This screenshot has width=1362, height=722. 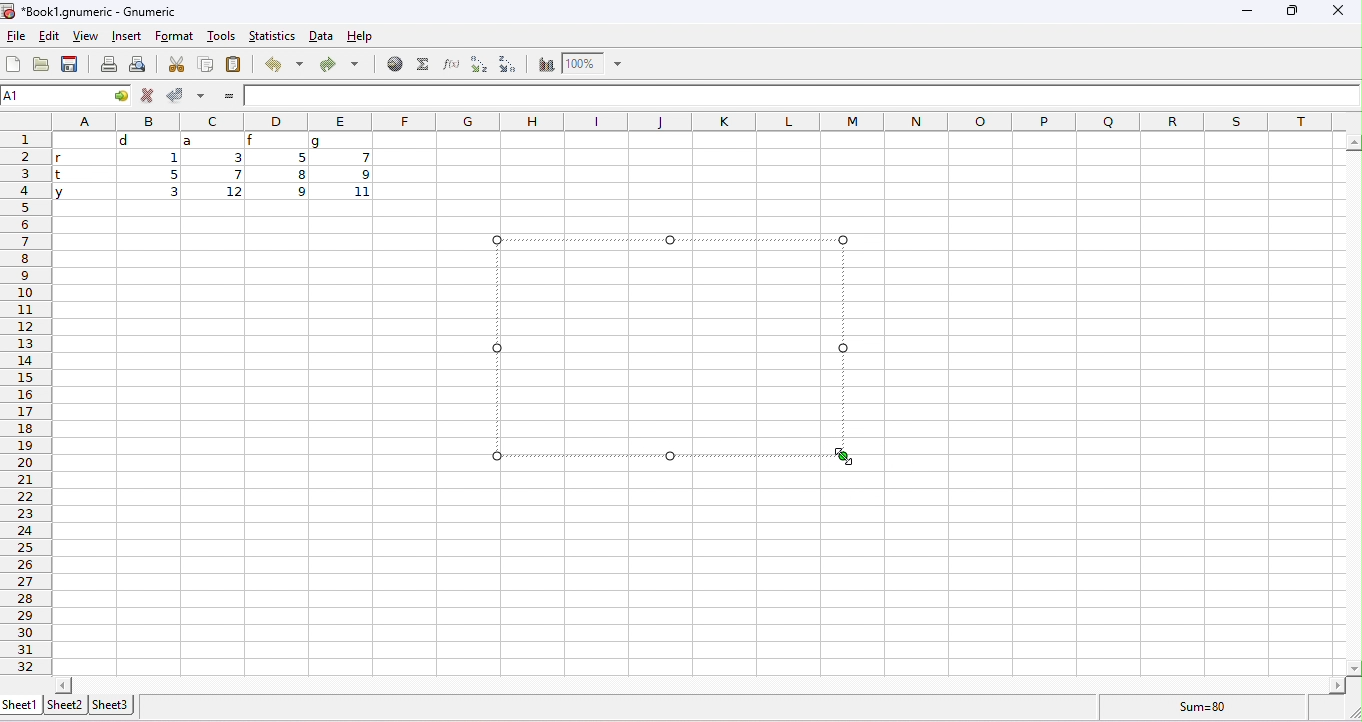 I want to click on sheet3, so click(x=113, y=704).